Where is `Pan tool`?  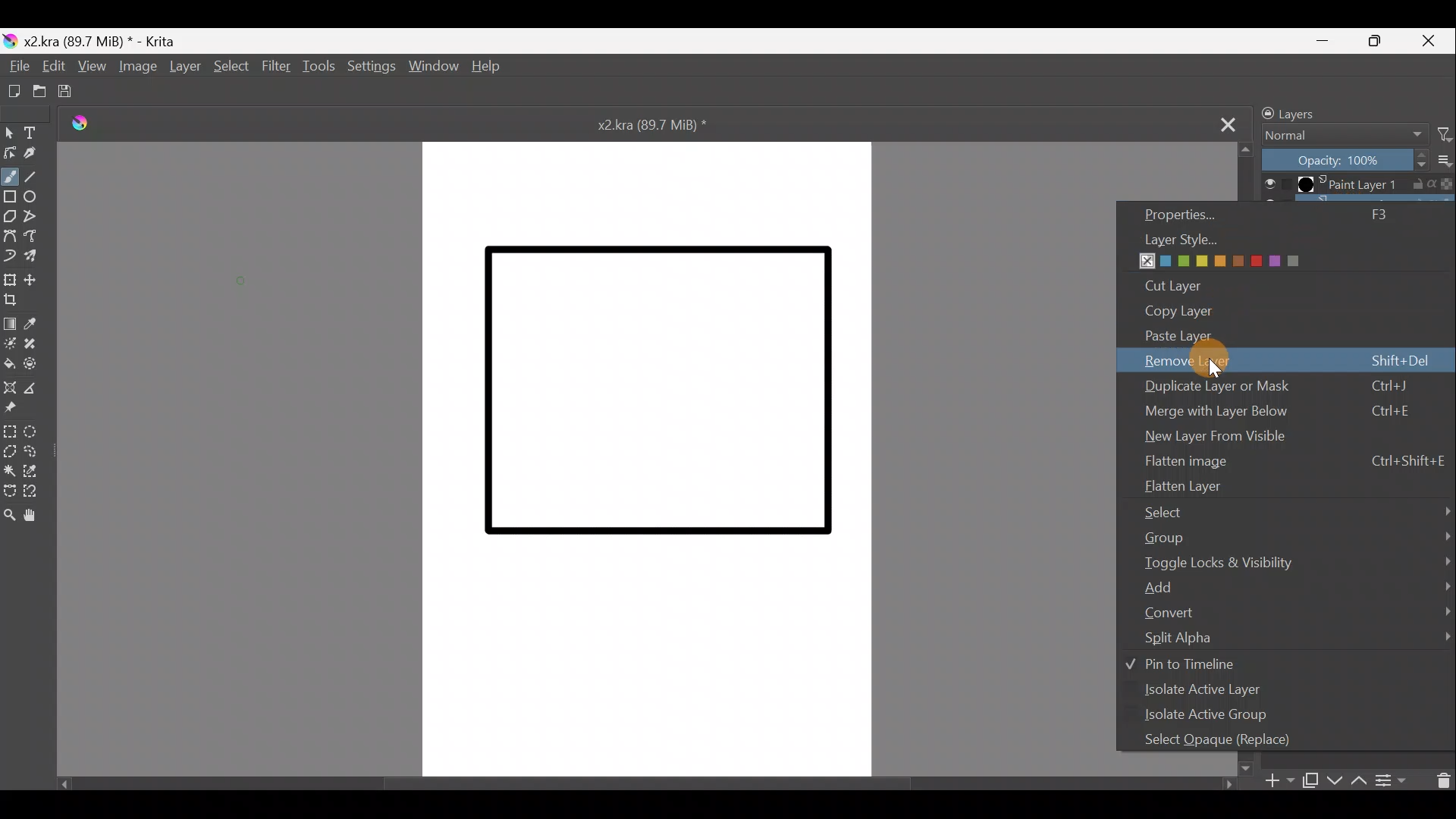 Pan tool is located at coordinates (35, 516).